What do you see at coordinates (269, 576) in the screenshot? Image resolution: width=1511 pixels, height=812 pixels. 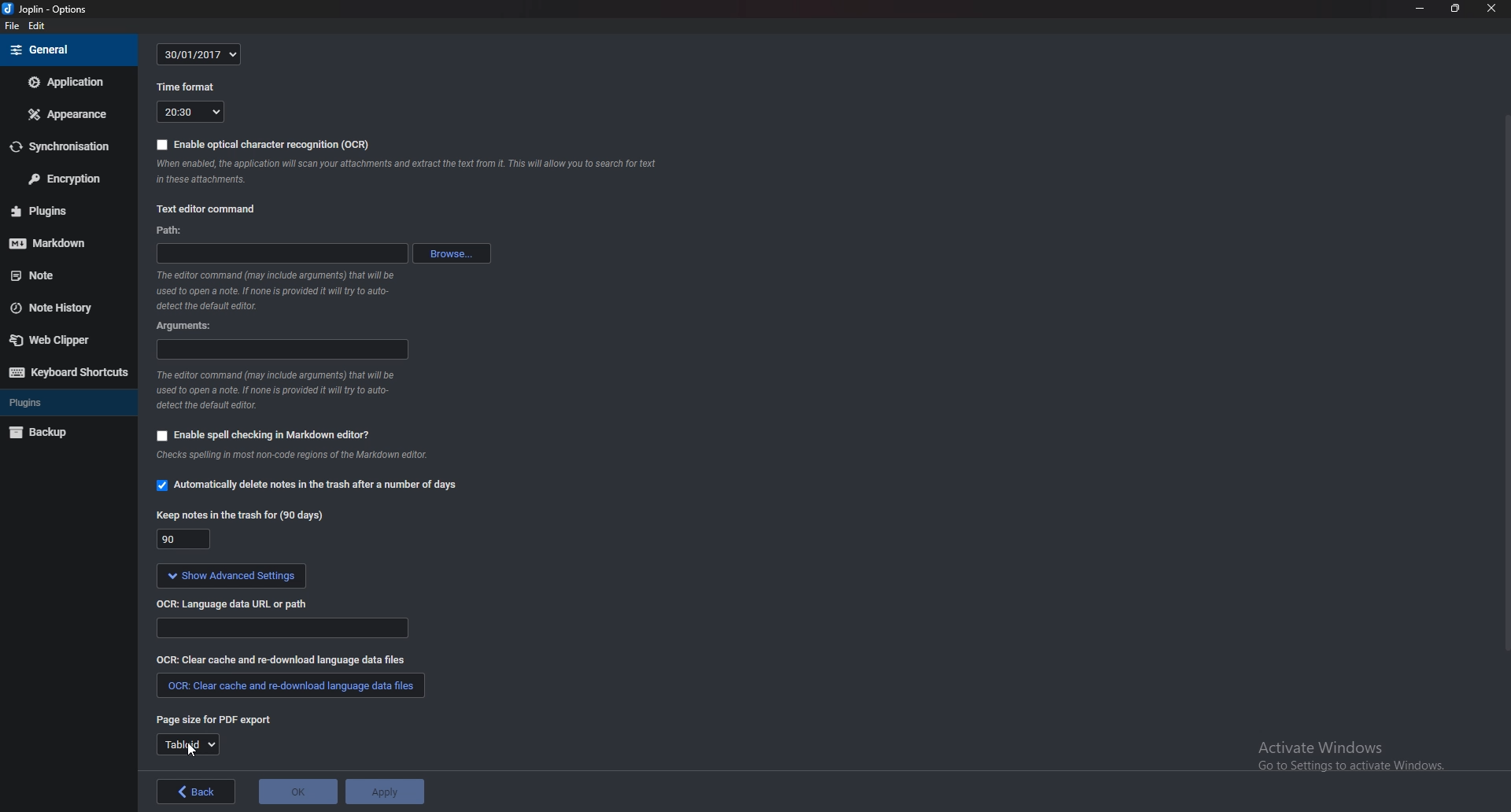 I see `show advanced settings` at bounding box center [269, 576].